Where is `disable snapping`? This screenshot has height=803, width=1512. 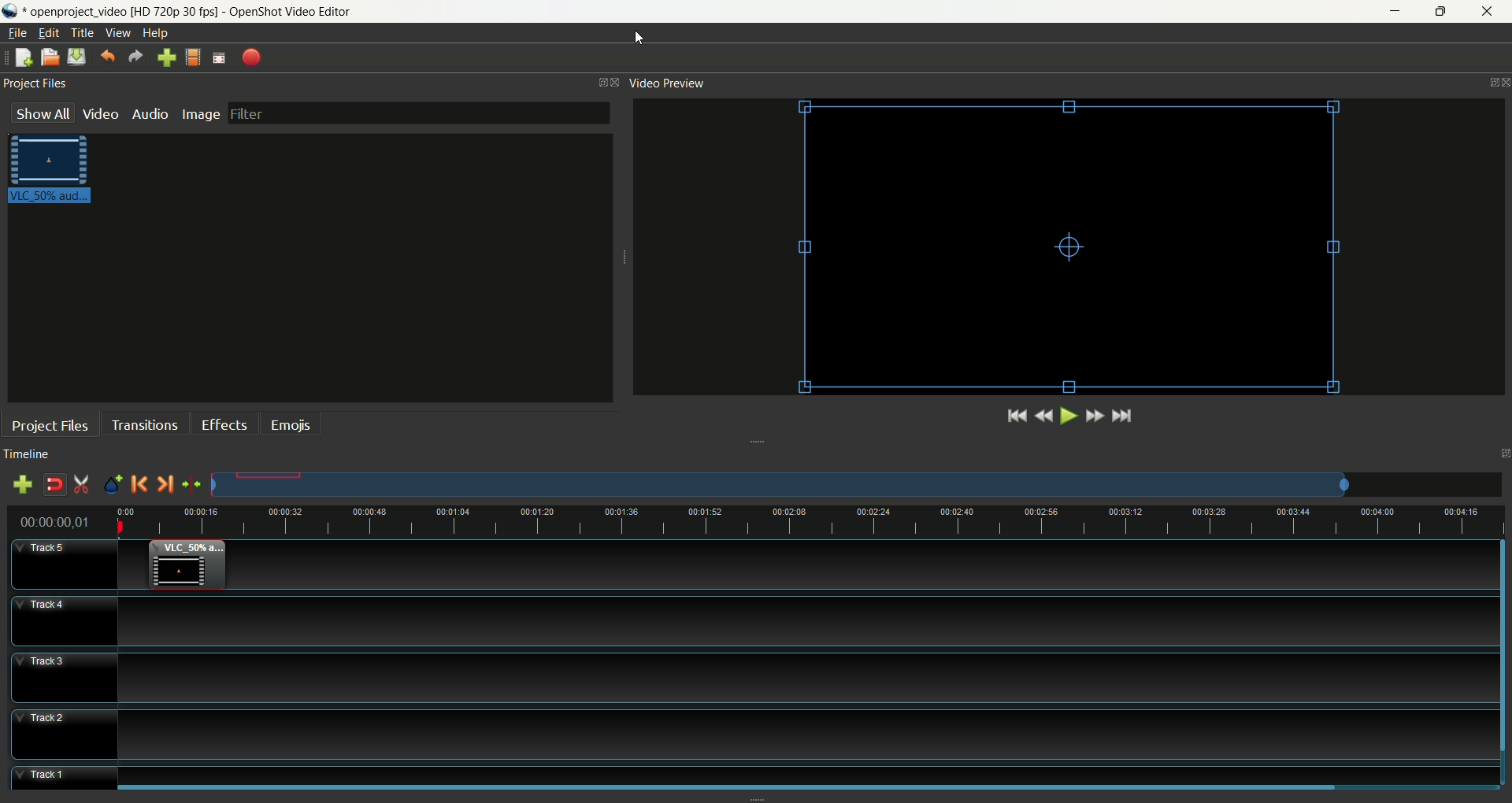
disable snapping is located at coordinates (54, 485).